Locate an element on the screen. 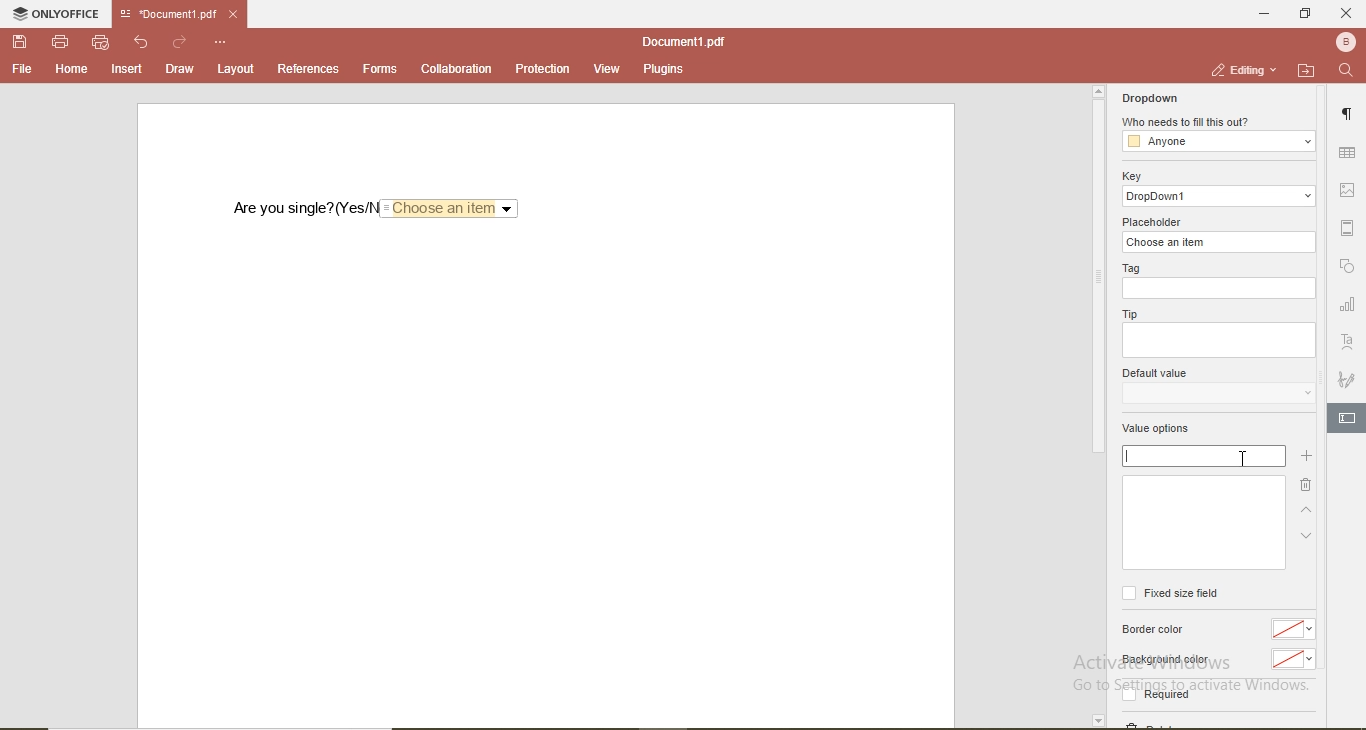 The height and width of the screenshot is (730, 1366). protection is located at coordinates (544, 68).